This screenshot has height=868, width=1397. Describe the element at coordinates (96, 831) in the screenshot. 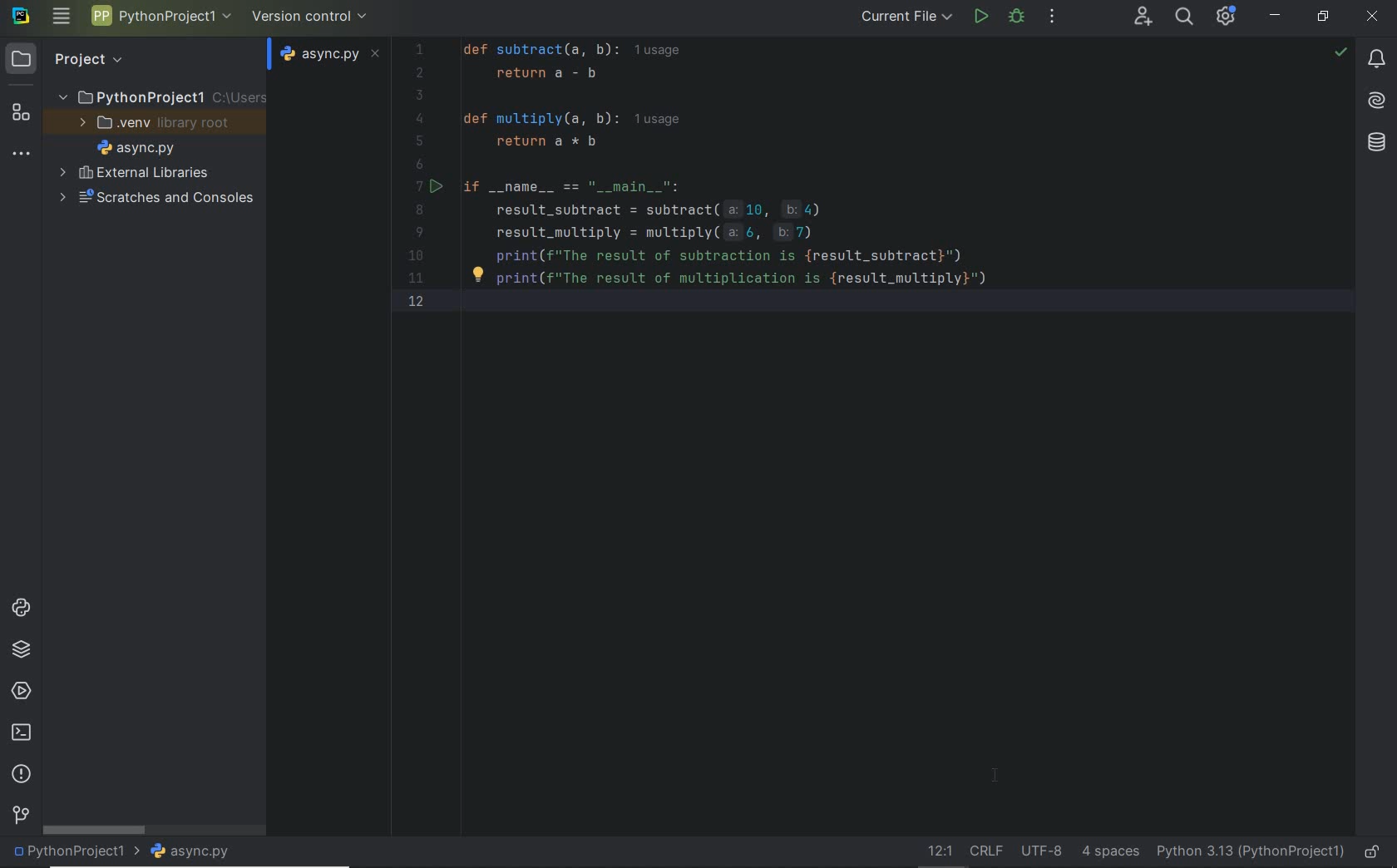

I see `scrollbar` at that location.